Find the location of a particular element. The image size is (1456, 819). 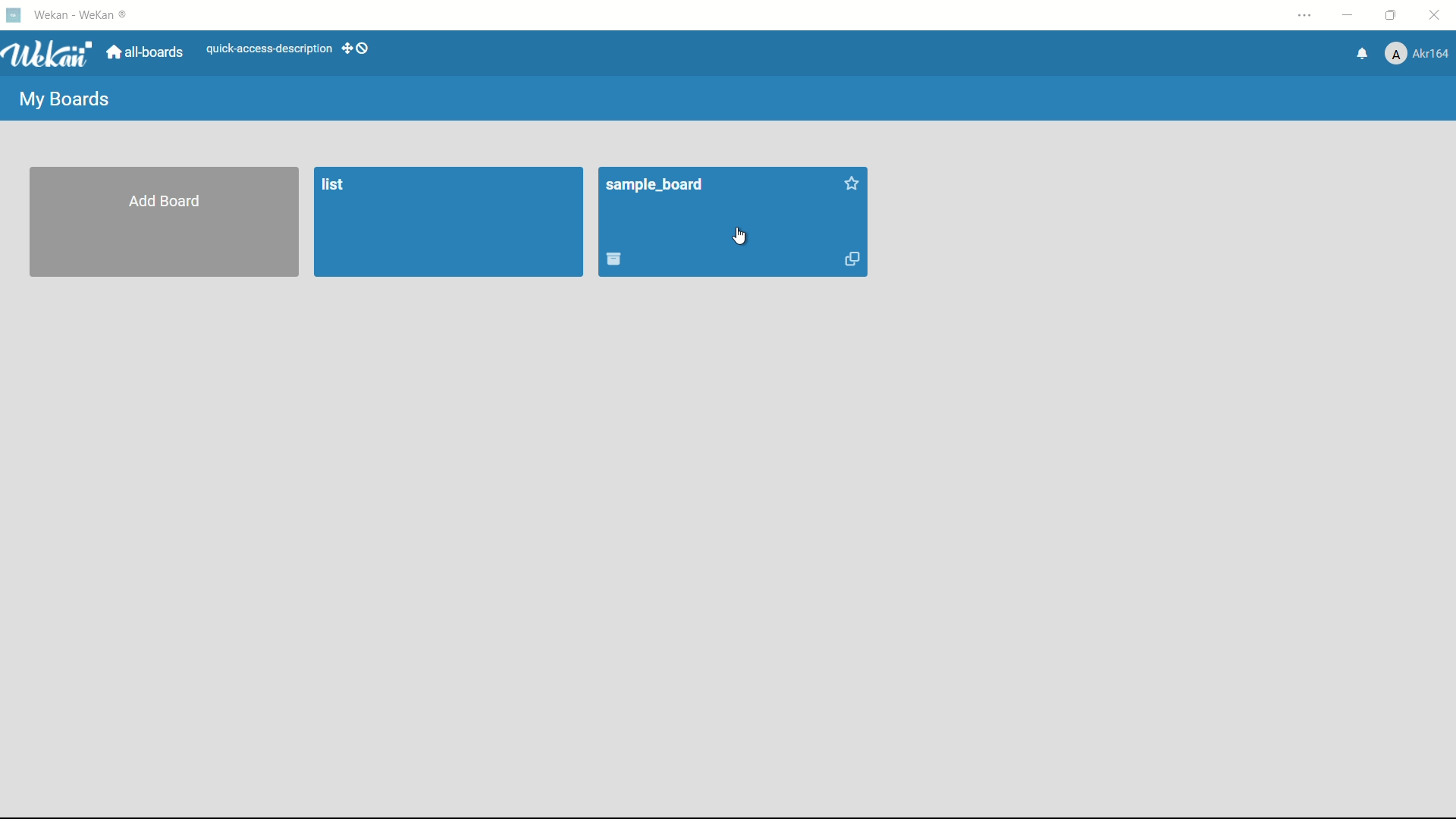

close app is located at coordinates (1434, 15).